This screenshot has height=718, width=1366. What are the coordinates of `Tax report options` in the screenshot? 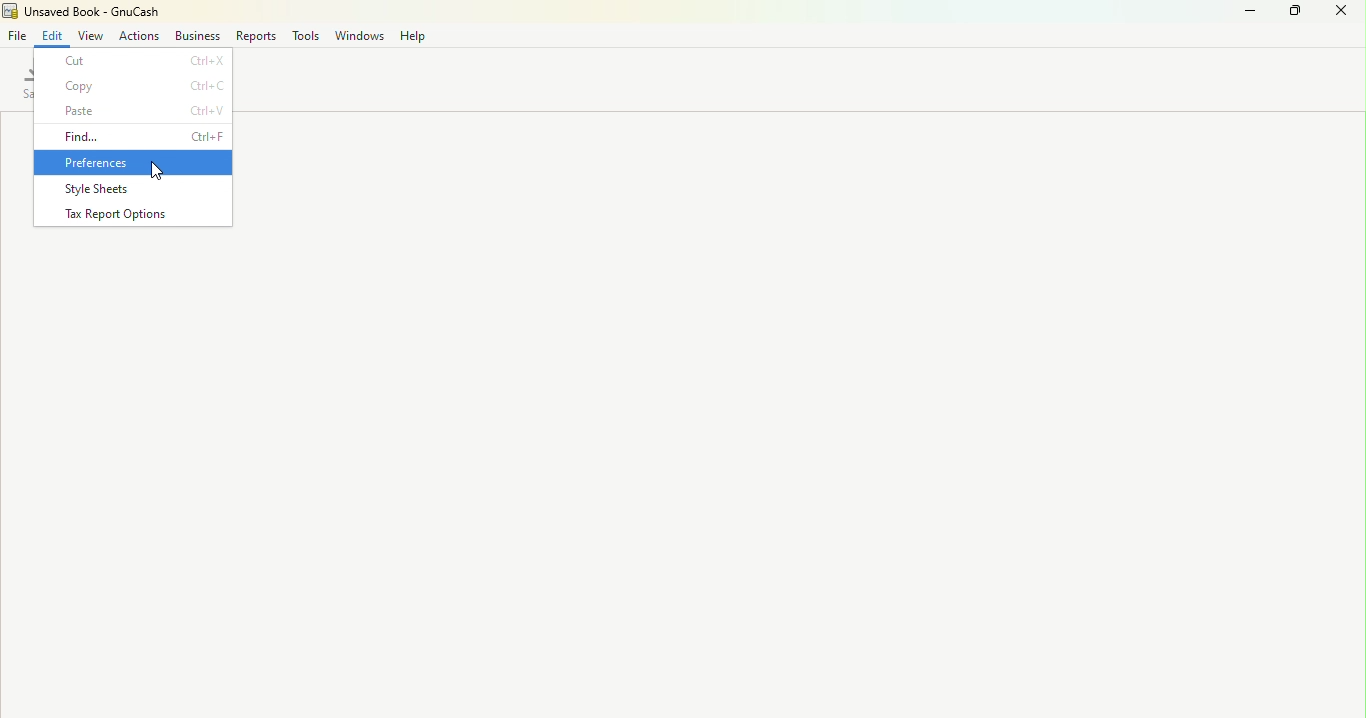 It's located at (134, 217).